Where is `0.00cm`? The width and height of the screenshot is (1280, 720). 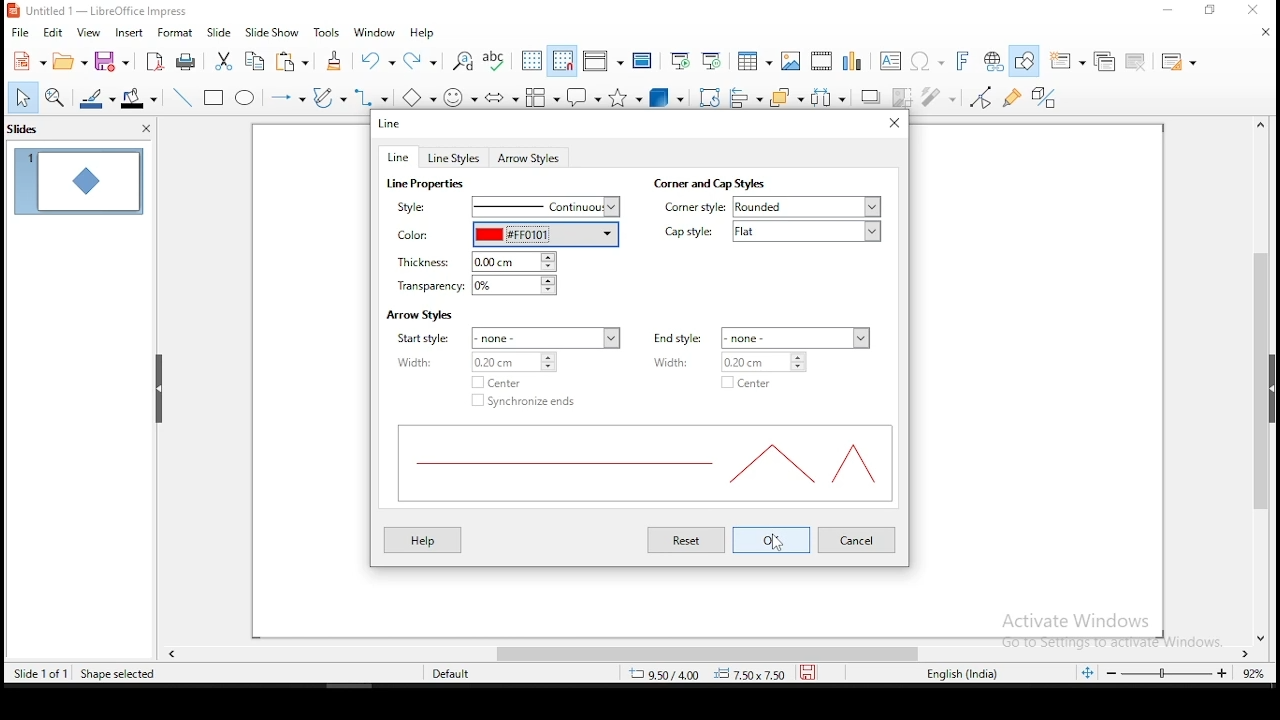 0.00cm is located at coordinates (514, 260).